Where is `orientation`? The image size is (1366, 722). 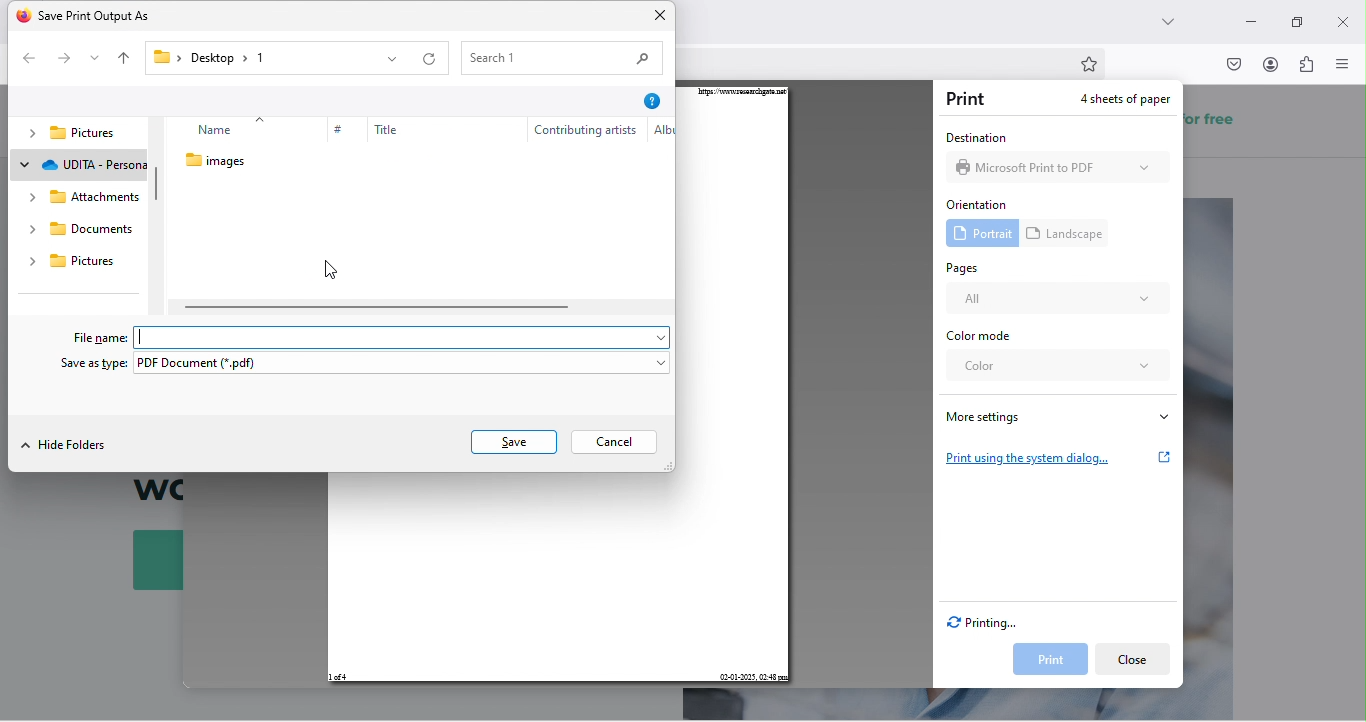
orientation is located at coordinates (981, 203).